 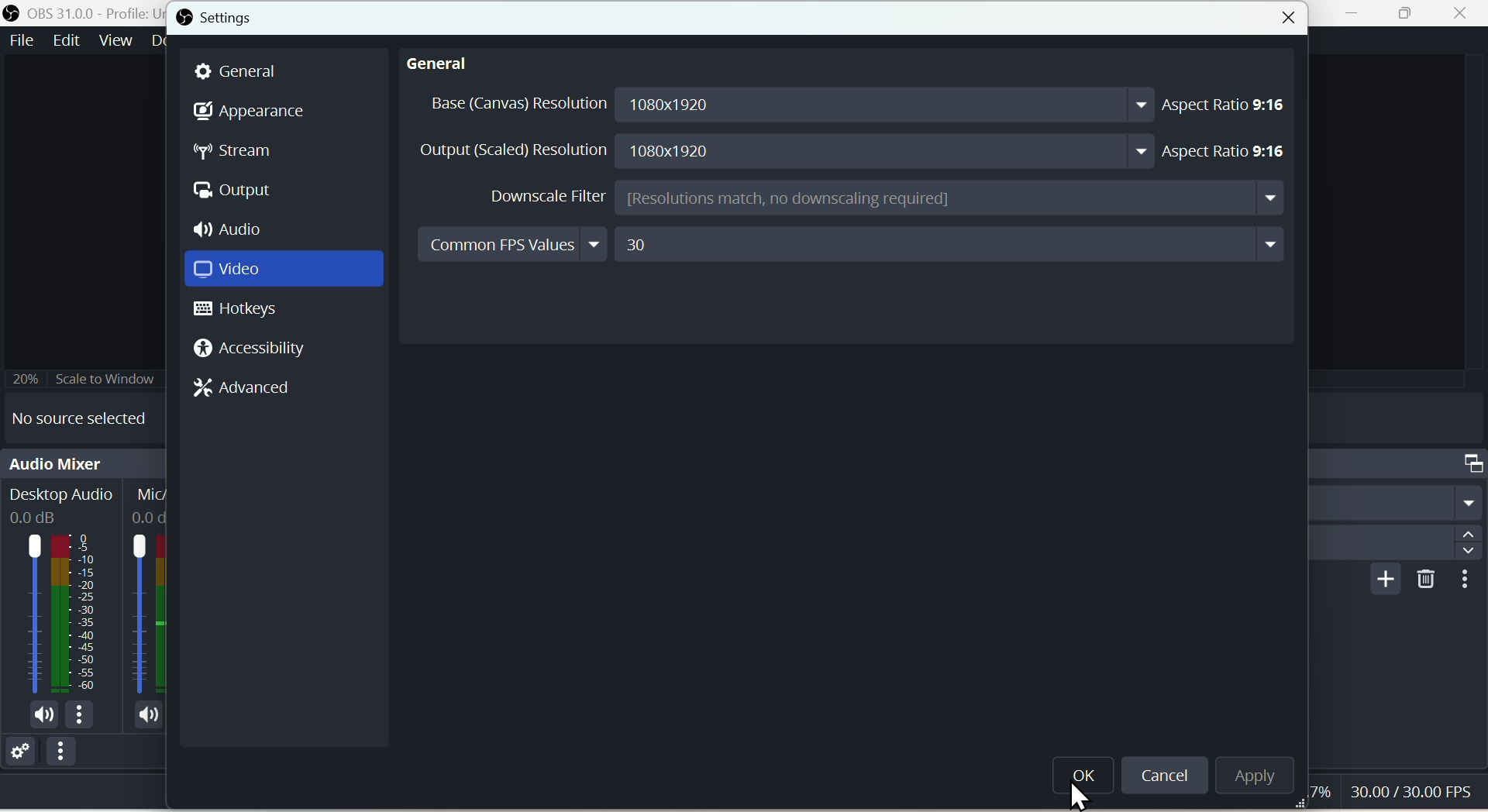 What do you see at coordinates (247, 386) in the screenshot?
I see `Advanced` at bounding box center [247, 386].